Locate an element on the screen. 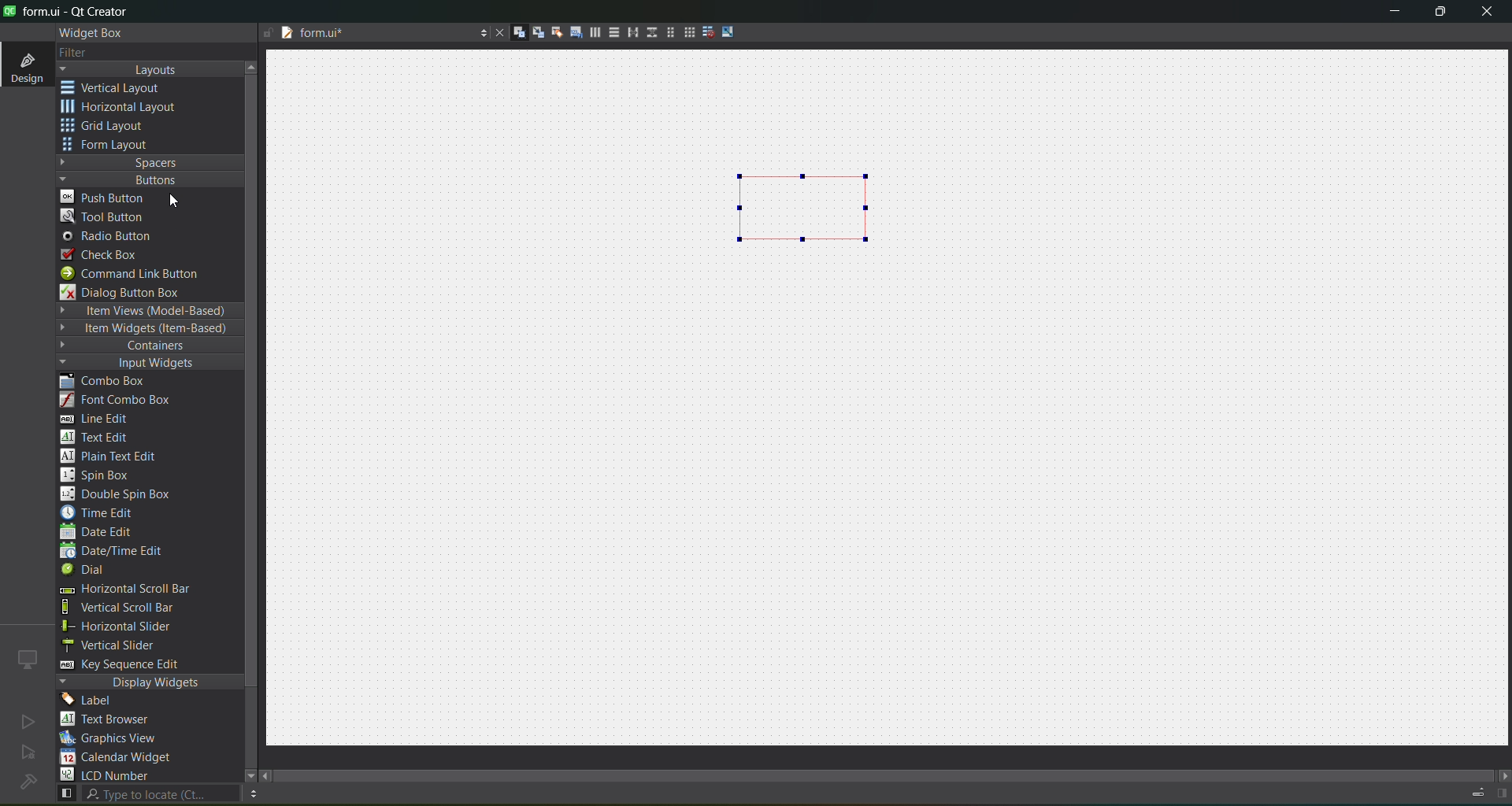  horizontal is located at coordinates (122, 109).